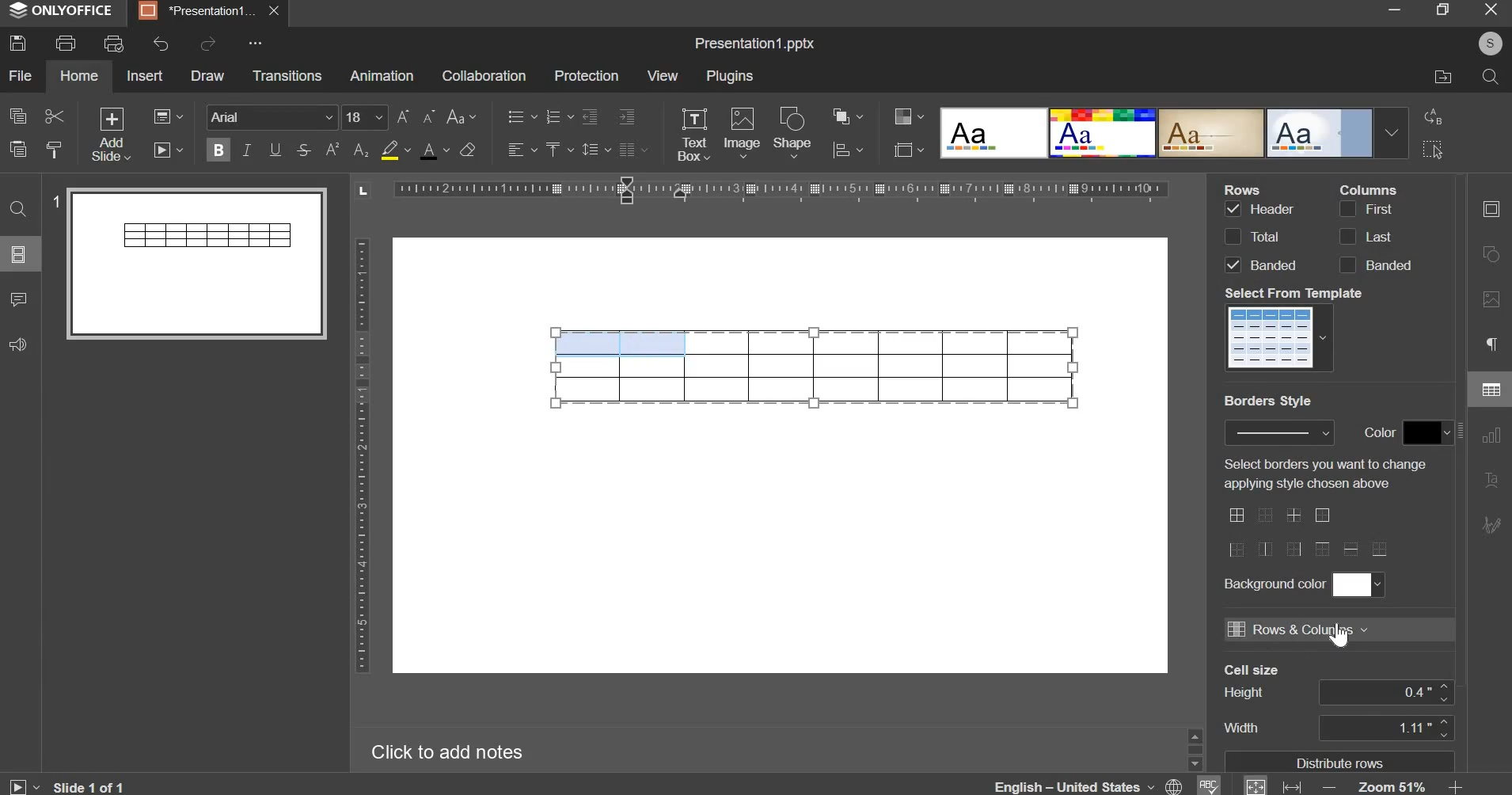  Describe the element at coordinates (66, 43) in the screenshot. I see `print` at that location.